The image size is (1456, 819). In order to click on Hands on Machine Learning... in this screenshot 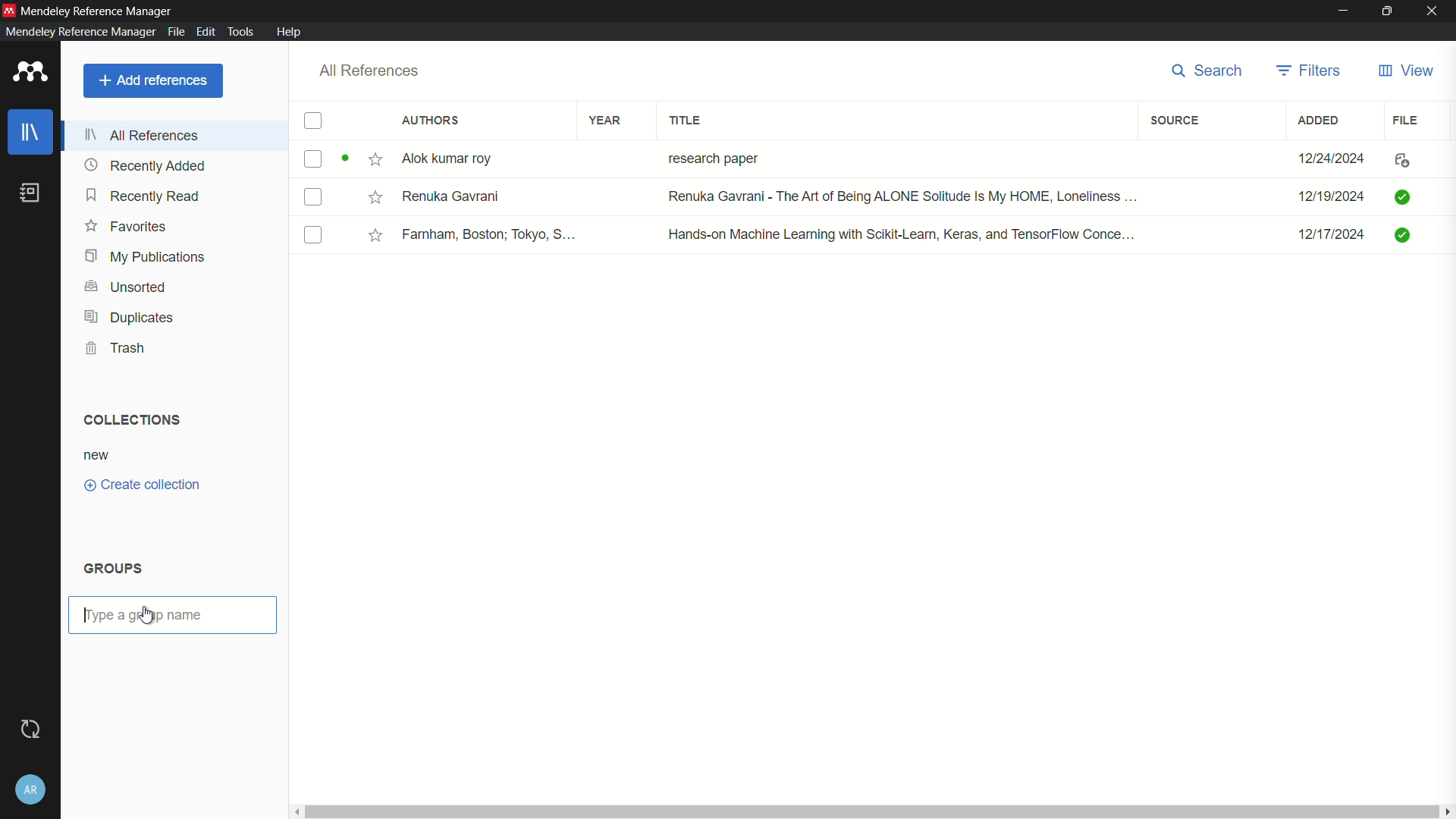, I will do `click(898, 233)`.